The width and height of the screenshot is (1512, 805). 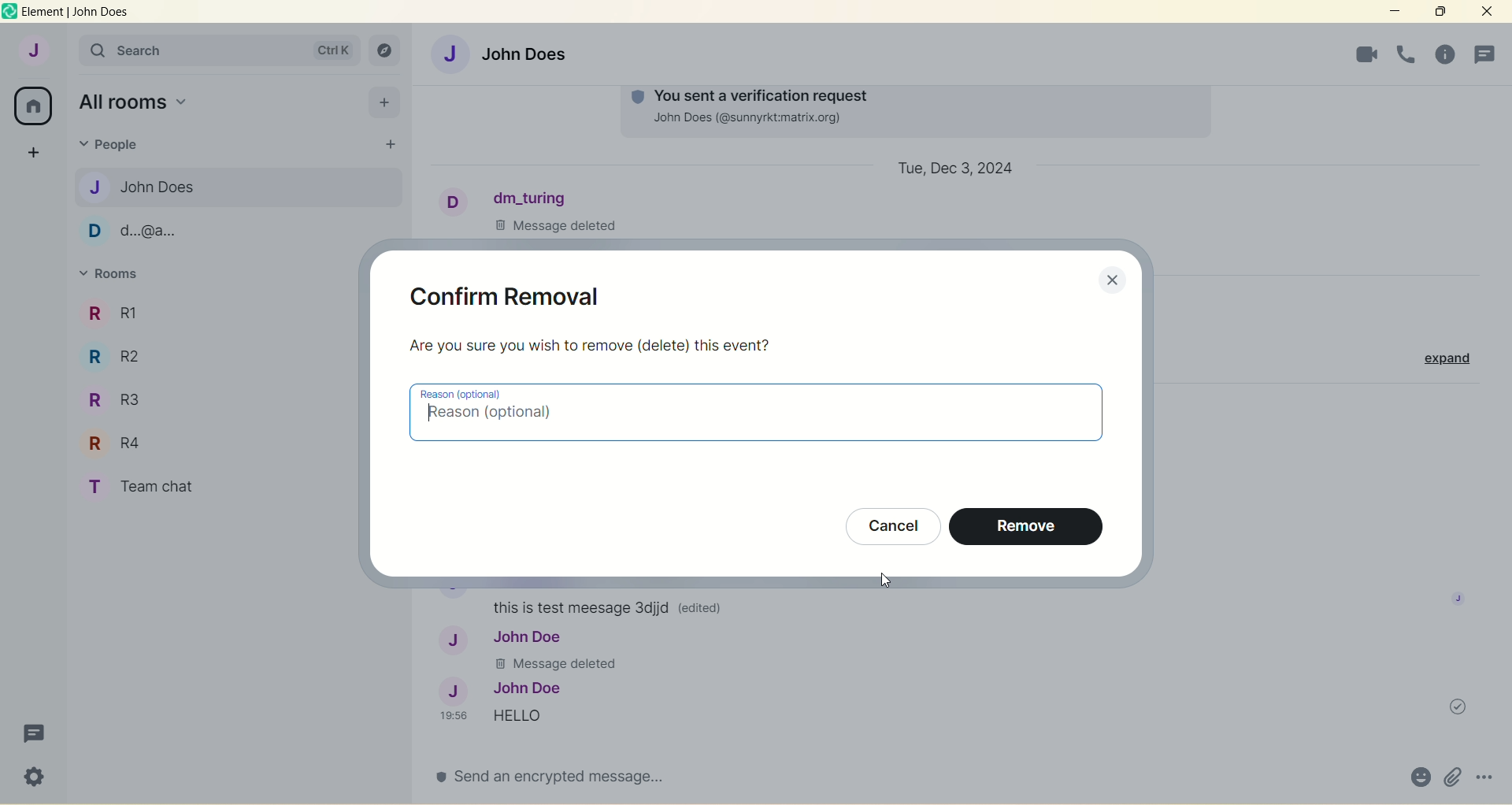 What do you see at coordinates (1113, 282) in the screenshot?
I see `close` at bounding box center [1113, 282].